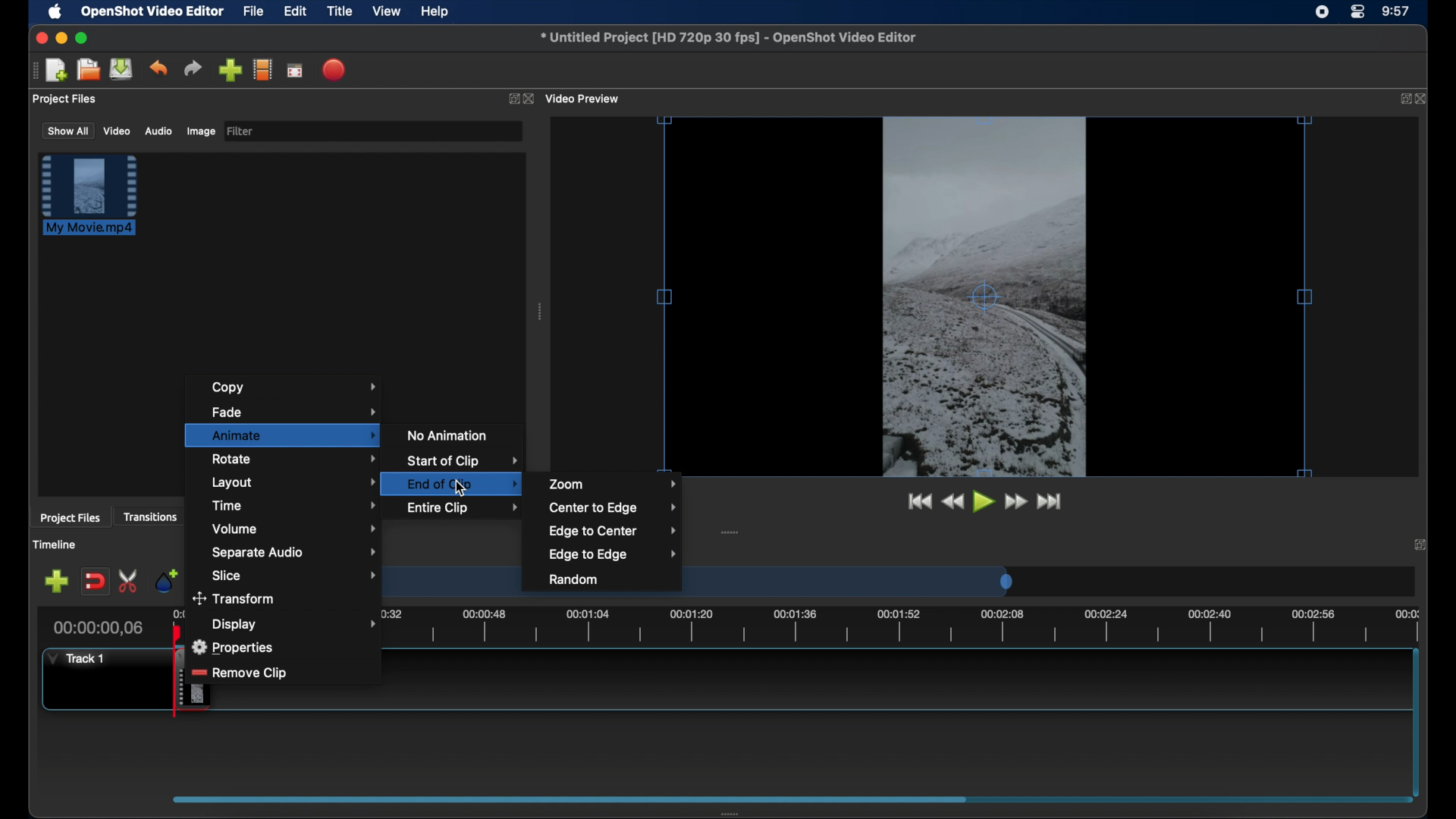  What do you see at coordinates (230, 71) in the screenshot?
I see `import files` at bounding box center [230, 71].